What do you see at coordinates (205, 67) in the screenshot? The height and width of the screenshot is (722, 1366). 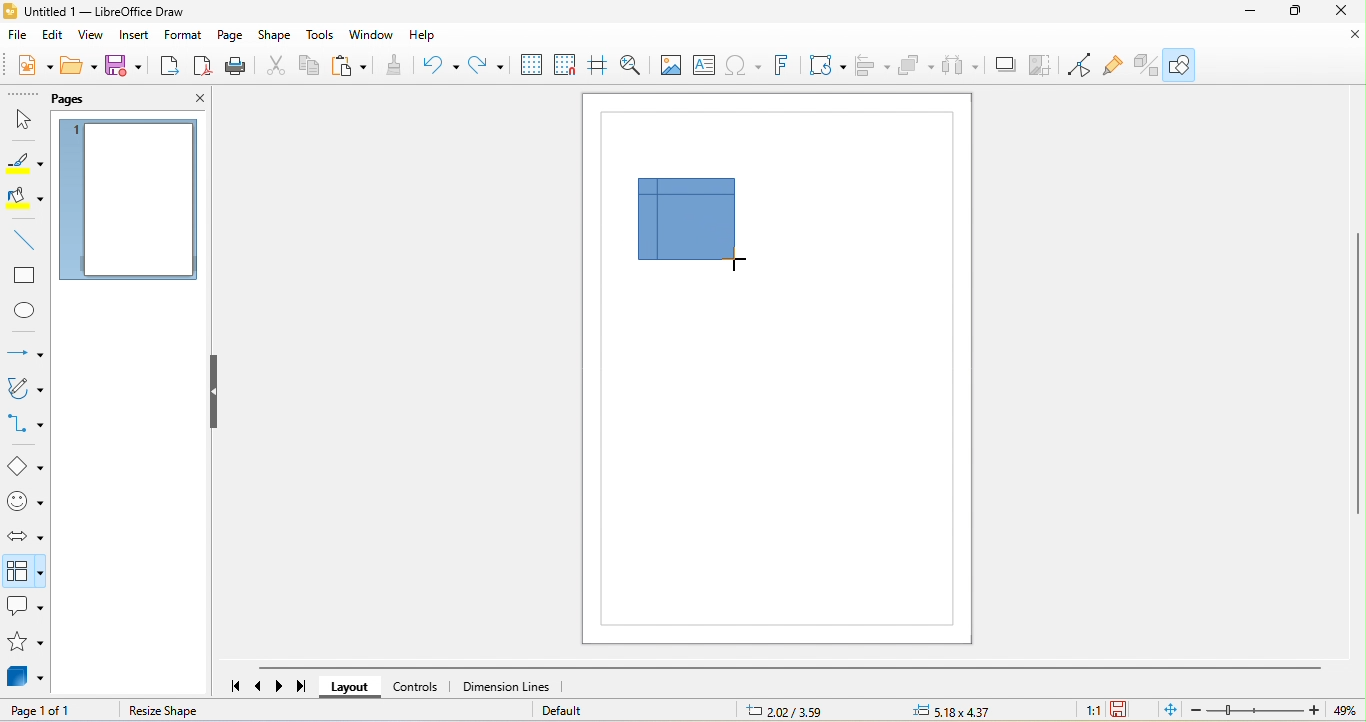 I see `export directly as pdf` at bounding box center [205, 67].